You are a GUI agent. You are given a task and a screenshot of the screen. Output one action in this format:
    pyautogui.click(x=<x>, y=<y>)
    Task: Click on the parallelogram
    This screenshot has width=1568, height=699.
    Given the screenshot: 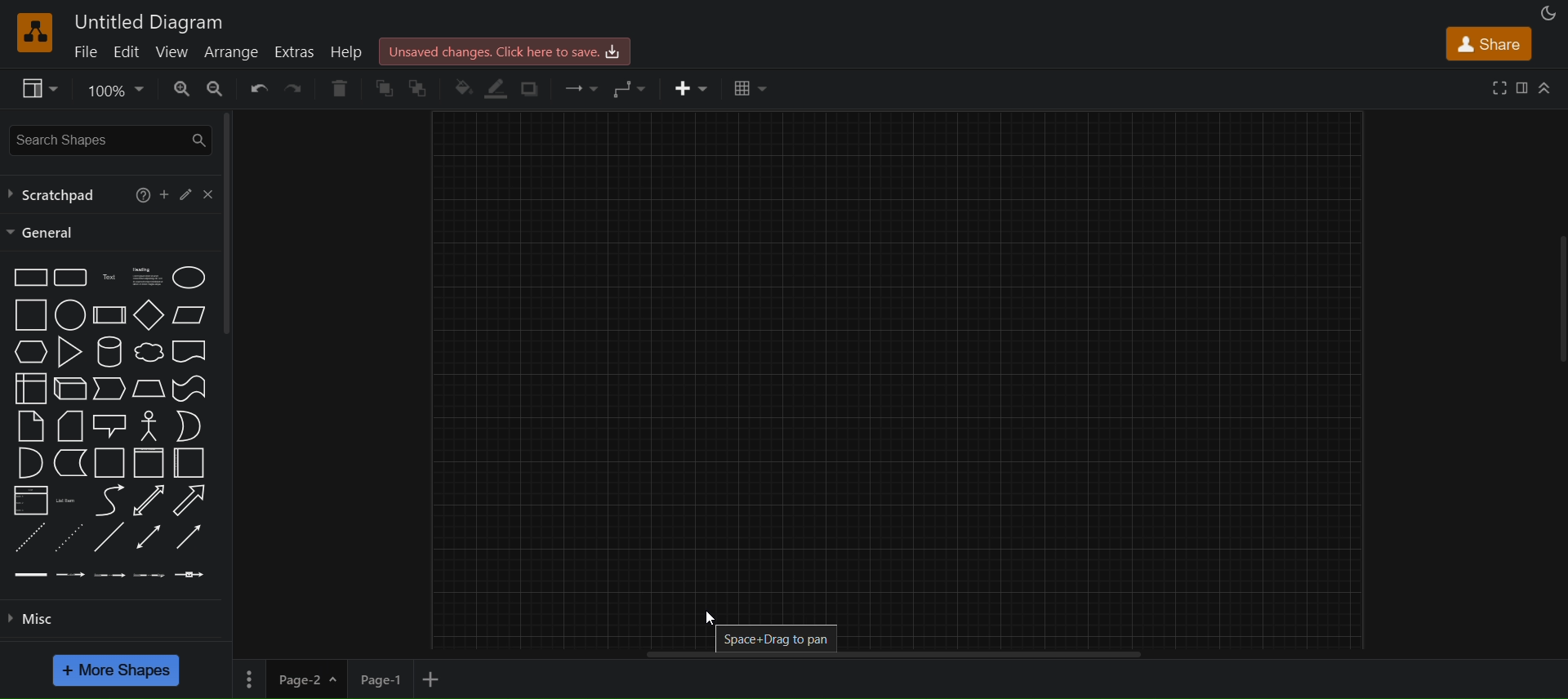 What is the action you would take?
    pyautogui.click(x=190, y=314)
    